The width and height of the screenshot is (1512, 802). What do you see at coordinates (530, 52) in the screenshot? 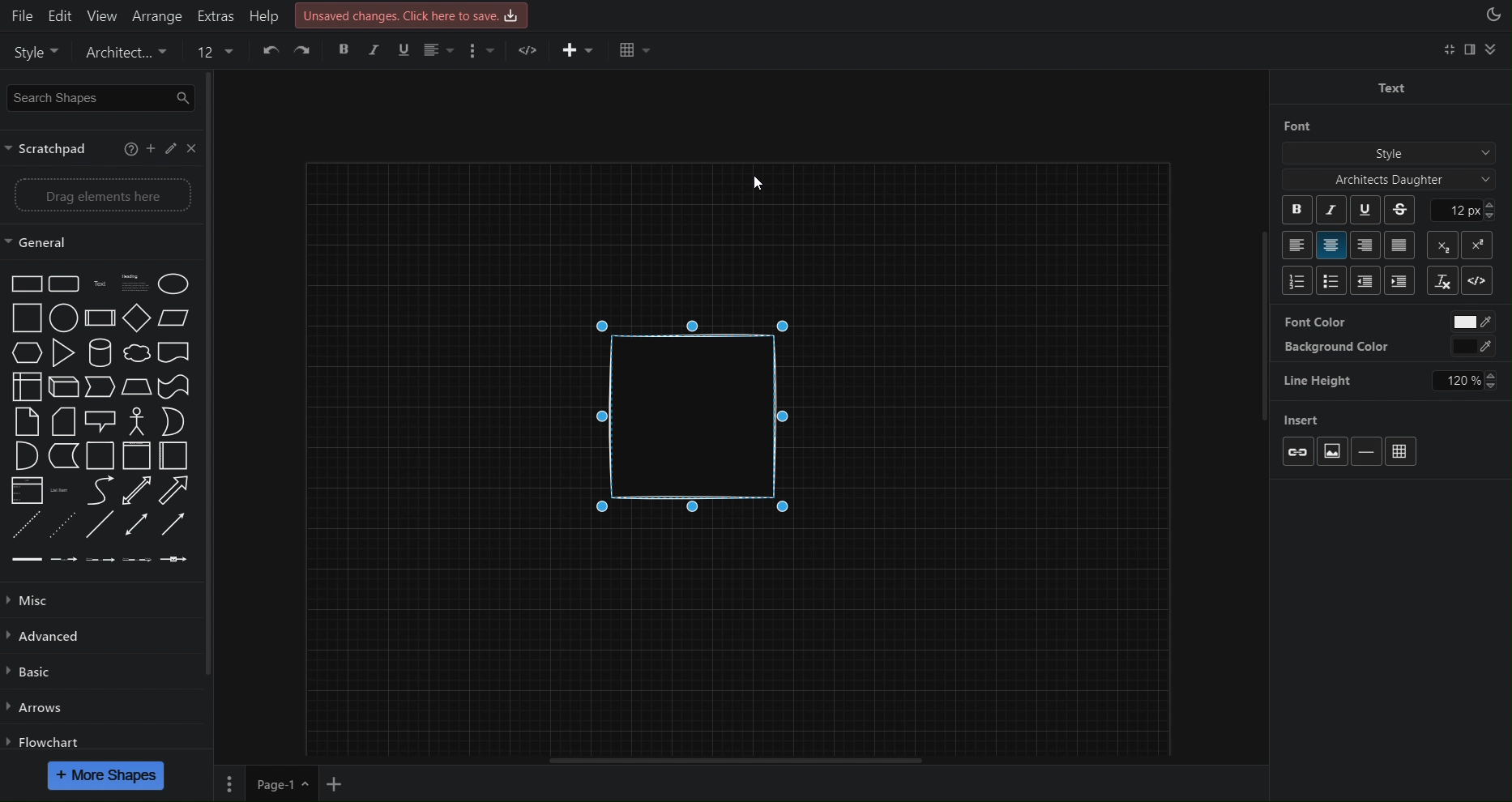
I see `Connection` at bounding box center [530, 52].